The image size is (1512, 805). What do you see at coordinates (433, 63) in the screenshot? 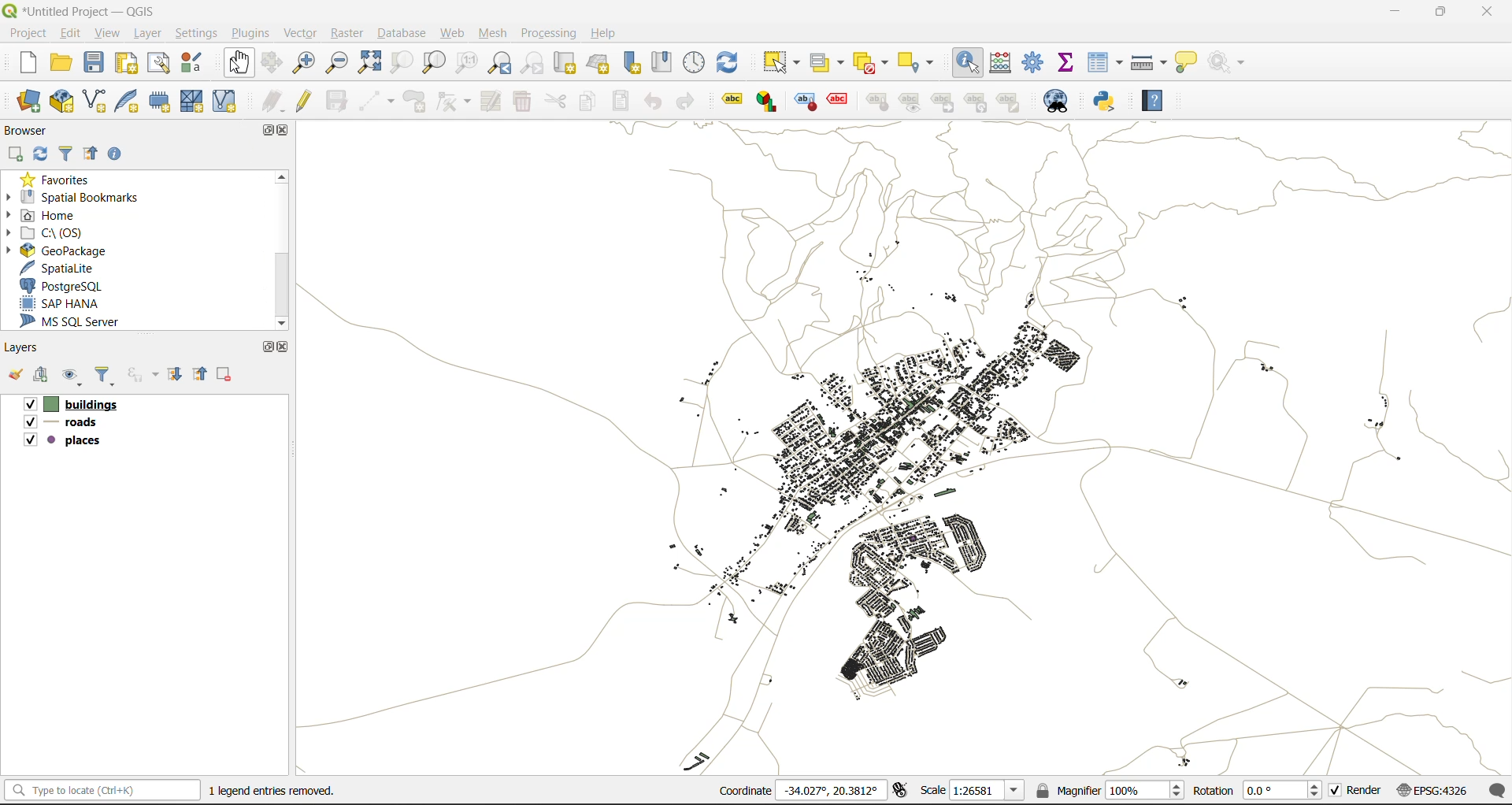
I see `zoom layer` at bounding box center [433, 63].